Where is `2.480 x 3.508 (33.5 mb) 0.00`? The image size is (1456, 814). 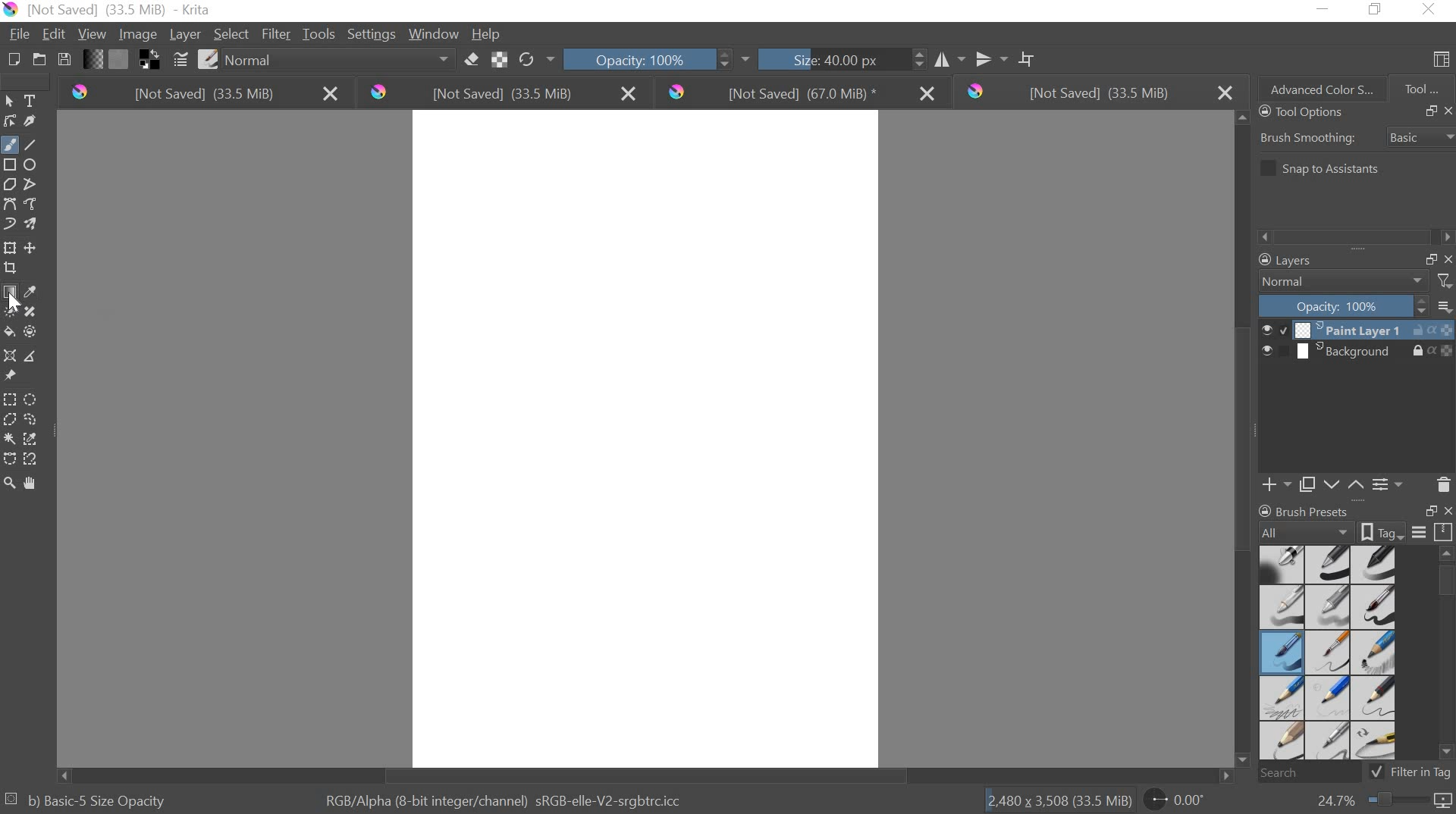 2.480 x 3.508 (33.5 mb) 0.00 is located at coordinates (1098, 797).